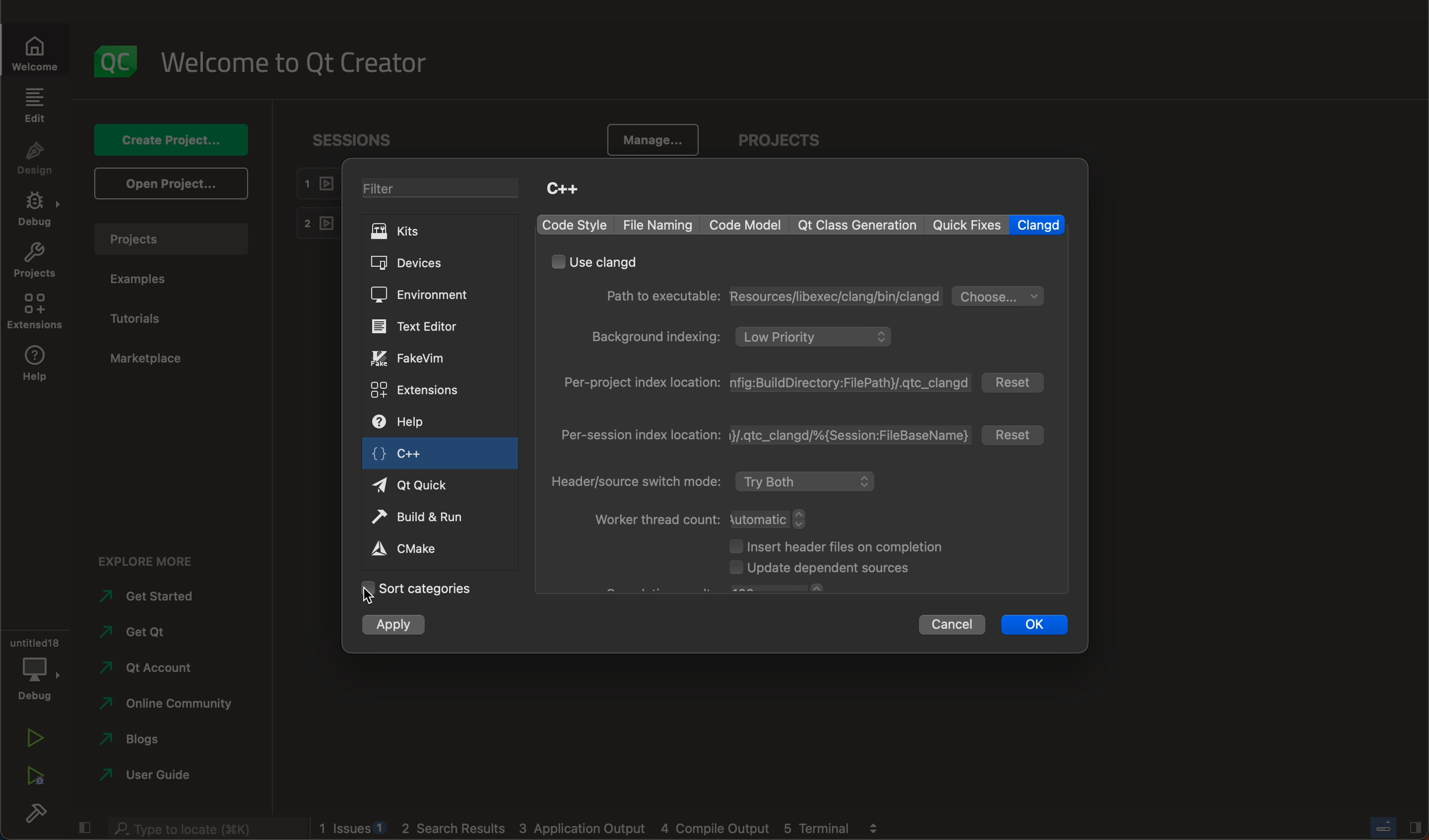  I want to click on sessions, so click(360, 139).